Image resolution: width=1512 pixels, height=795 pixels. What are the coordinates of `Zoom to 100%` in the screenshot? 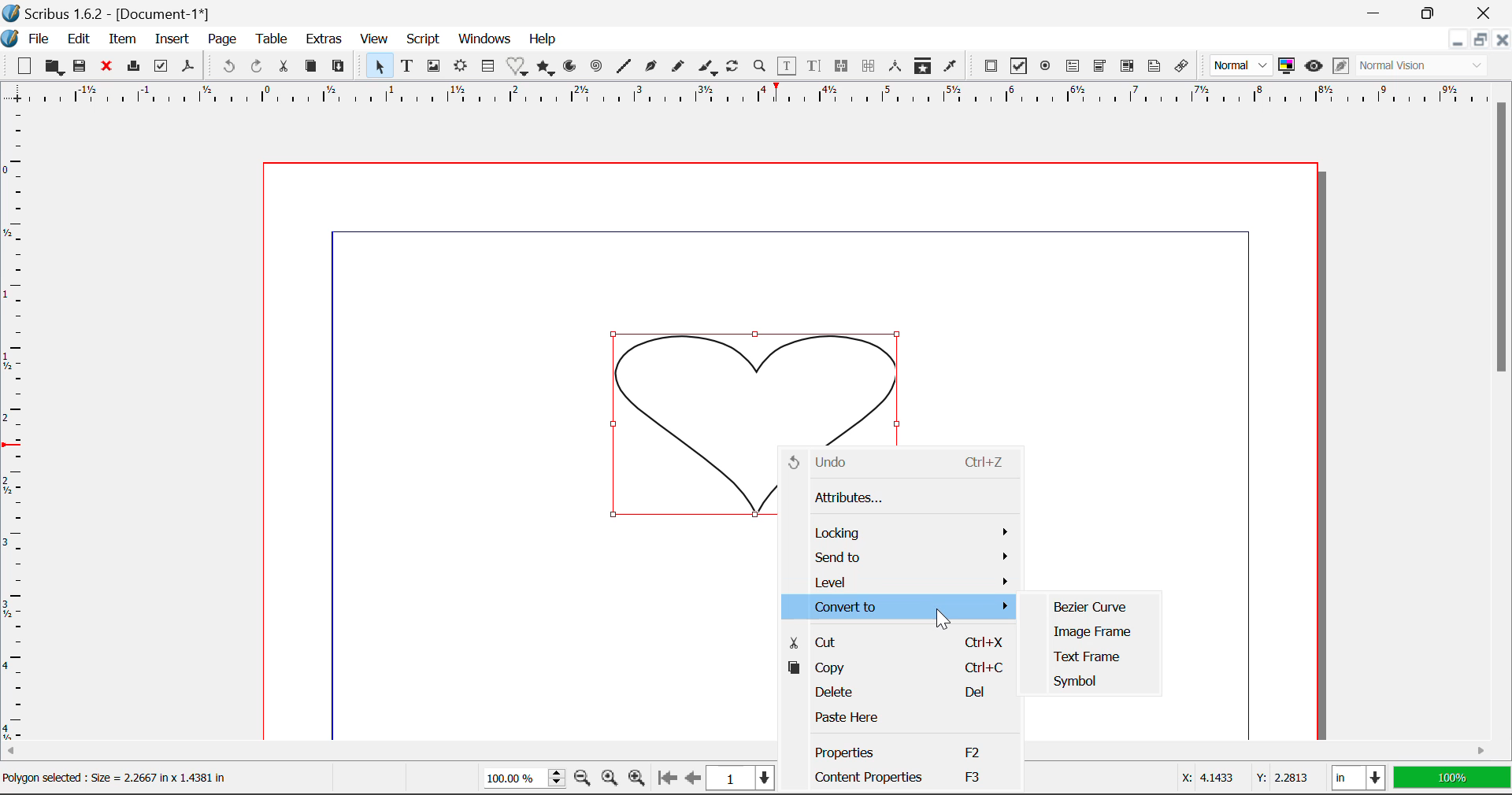 It's located at (608, 780).